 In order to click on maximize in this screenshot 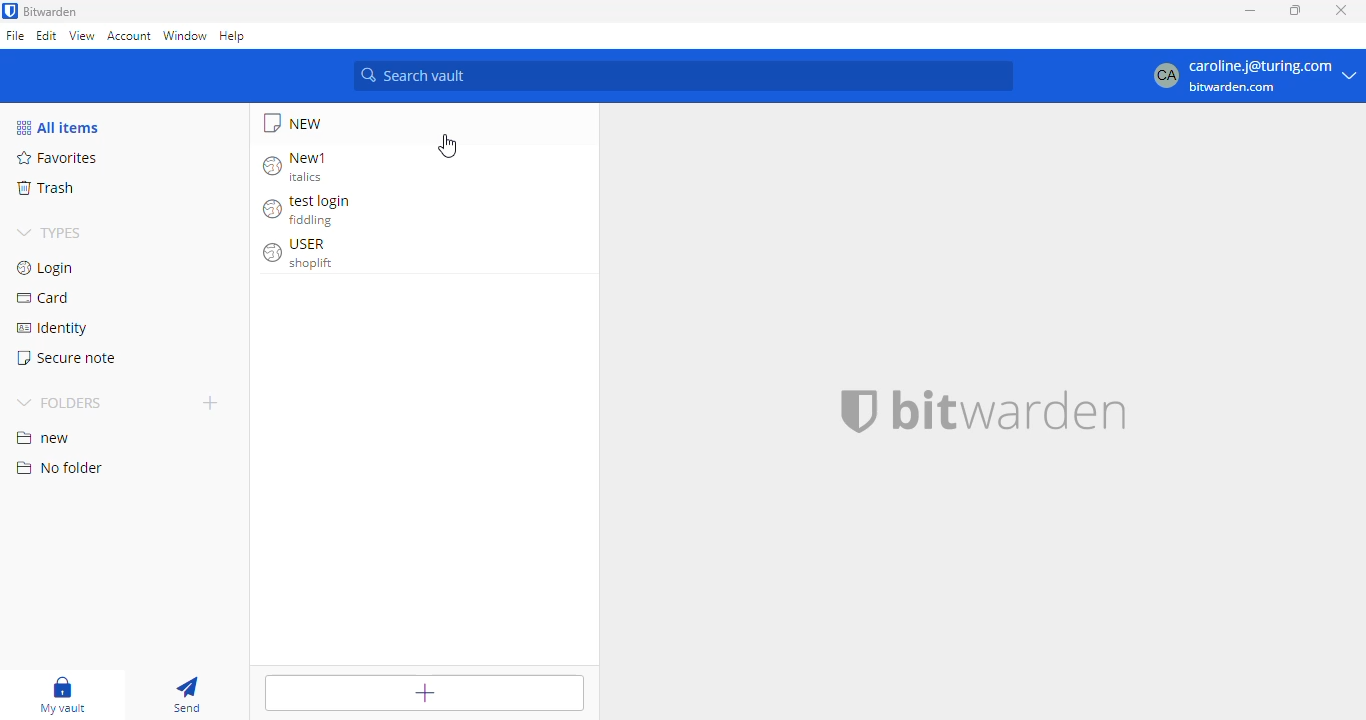, I will do `click(1295, 10)`.